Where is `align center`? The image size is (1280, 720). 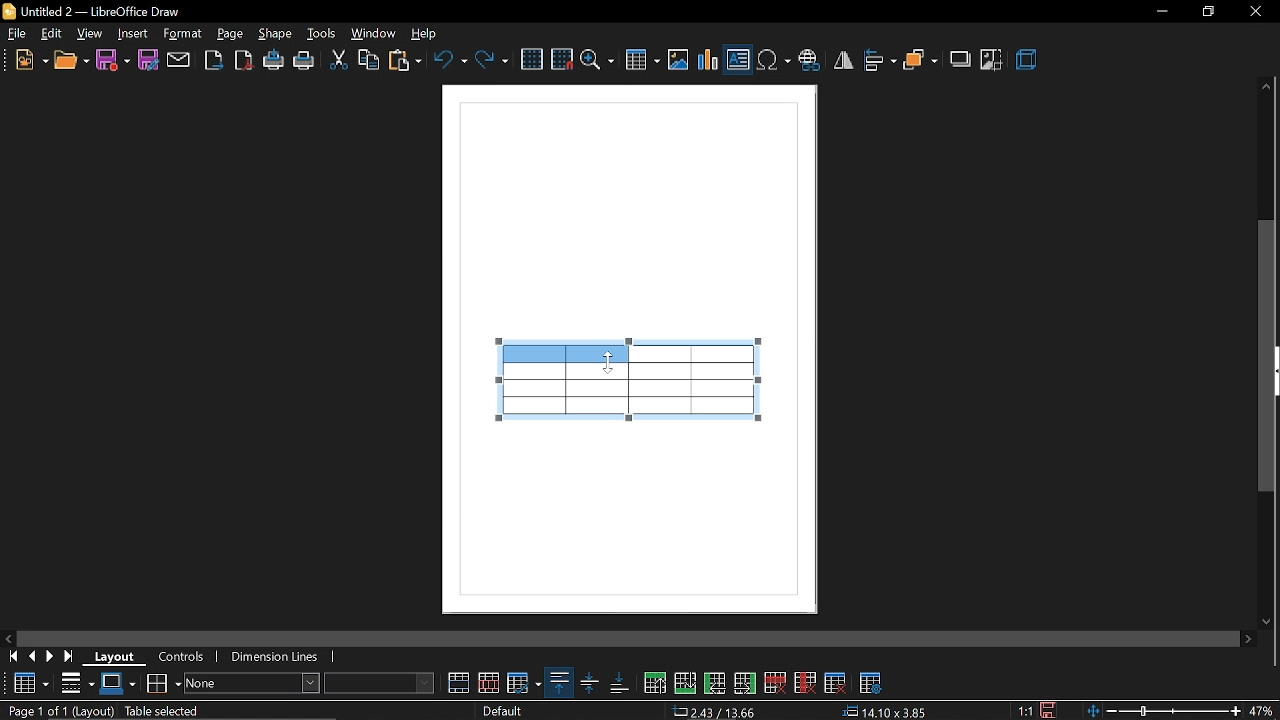
align center is located at coordinates (589, 683).